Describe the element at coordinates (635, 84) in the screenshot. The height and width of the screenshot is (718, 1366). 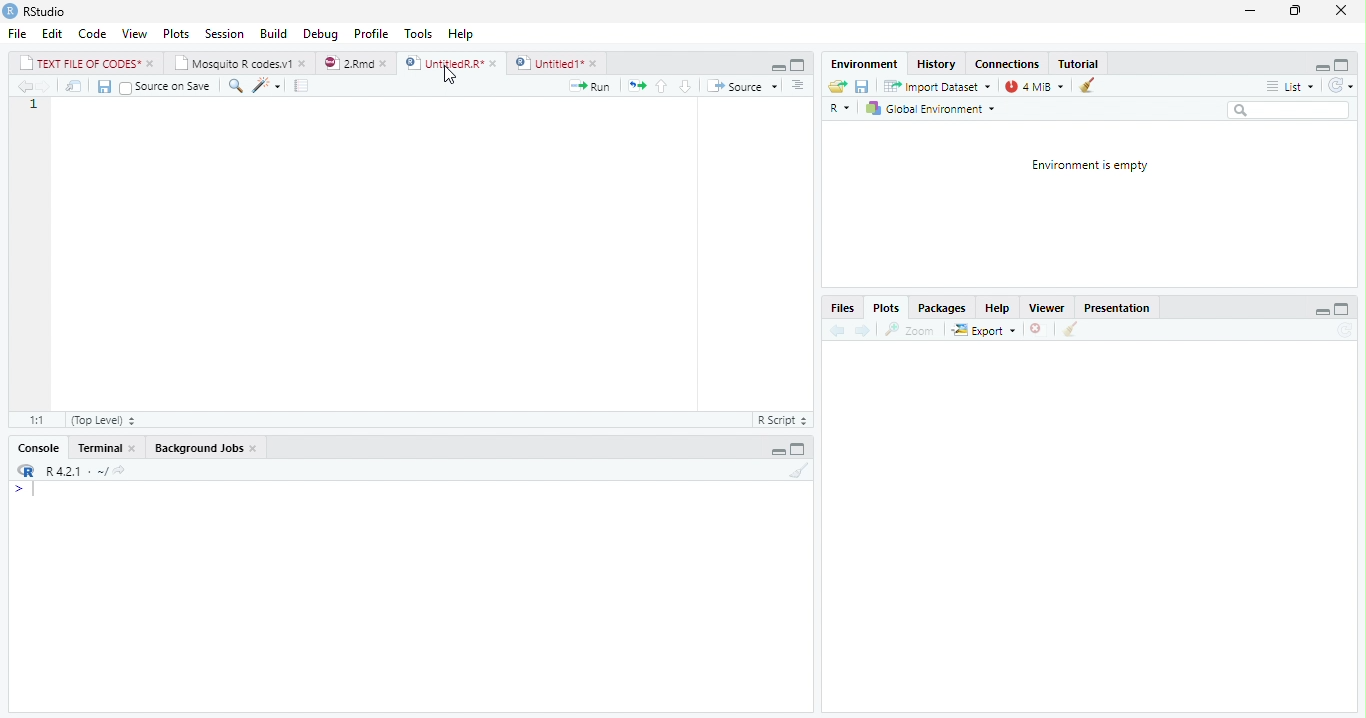
I see `re run the previous code` at that location.